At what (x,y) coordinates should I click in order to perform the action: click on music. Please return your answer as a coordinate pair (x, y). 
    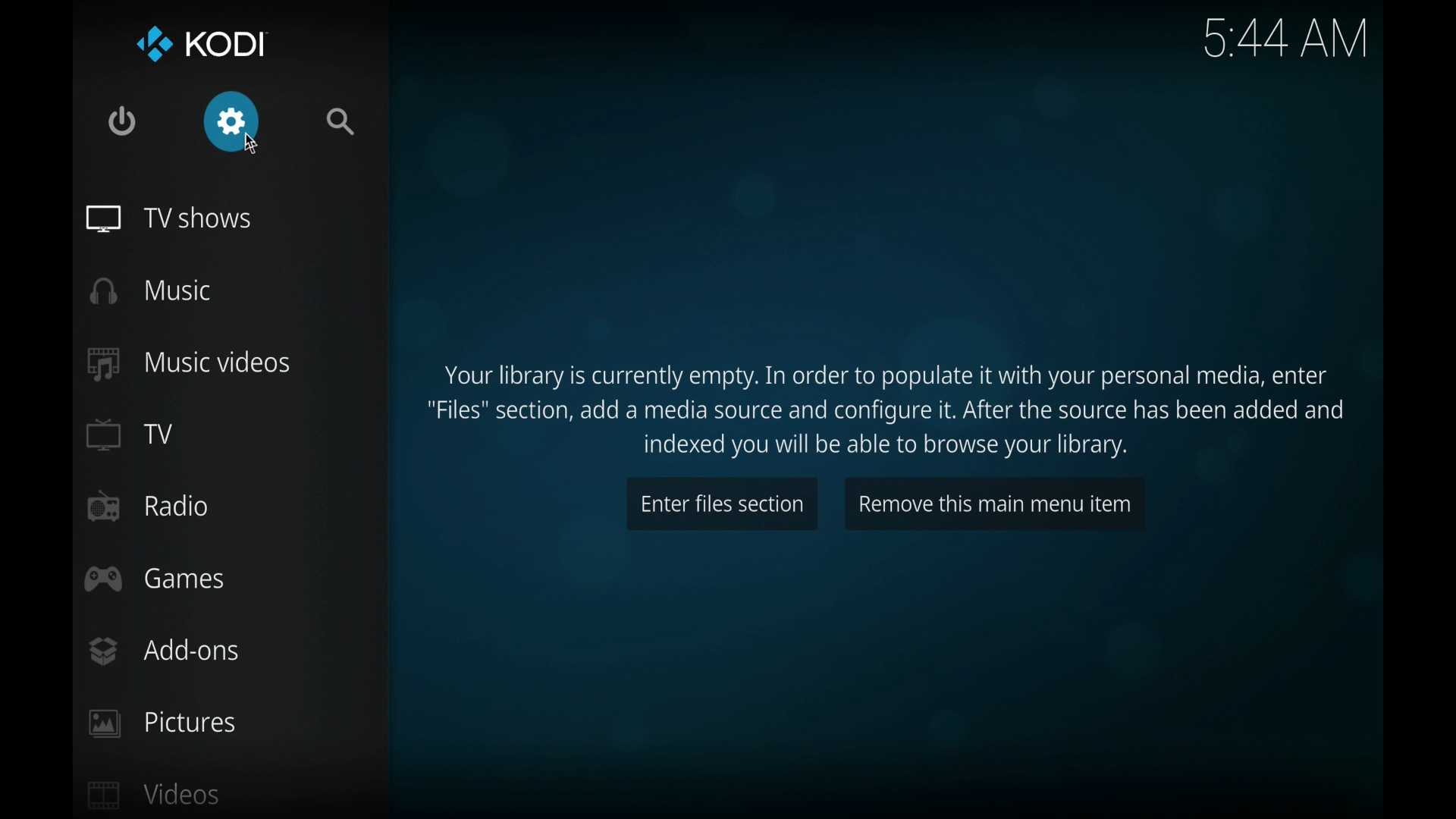
    Looking at the image, I should click on (151, 290).